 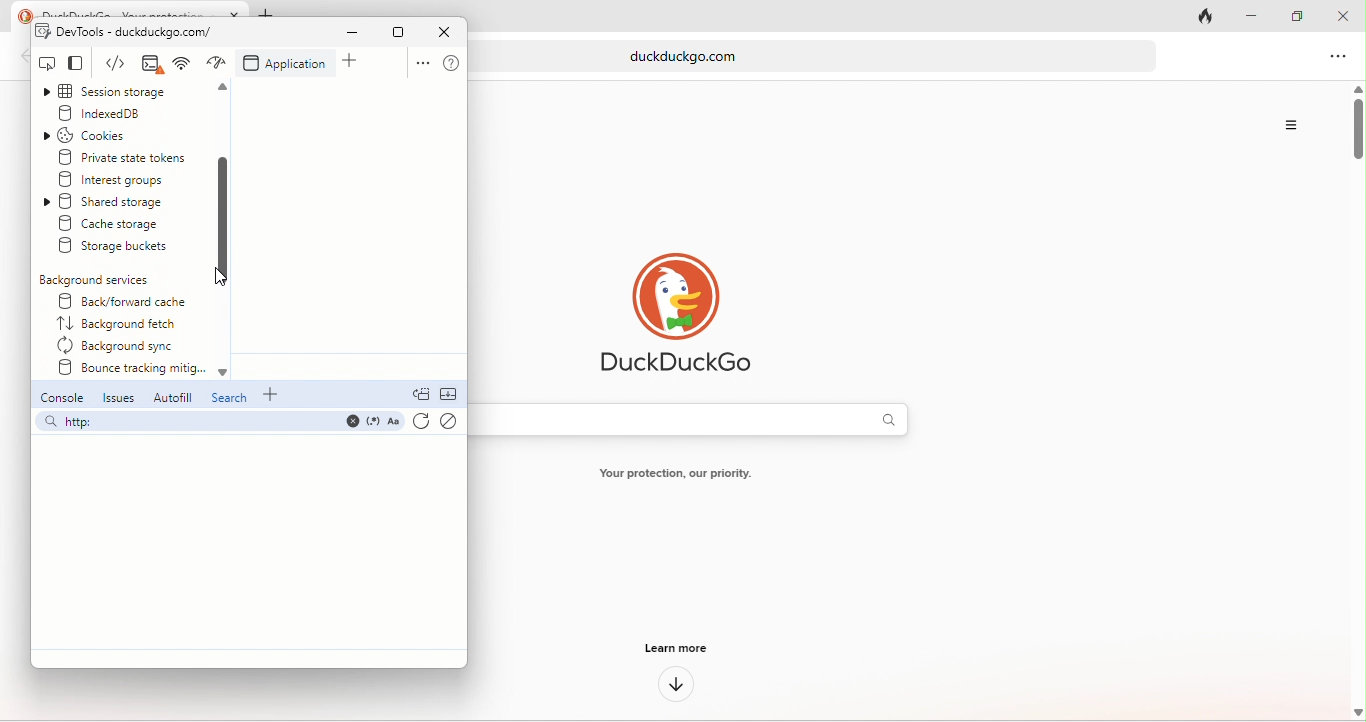 I want to click on maximize, so click(x=397, y=32).